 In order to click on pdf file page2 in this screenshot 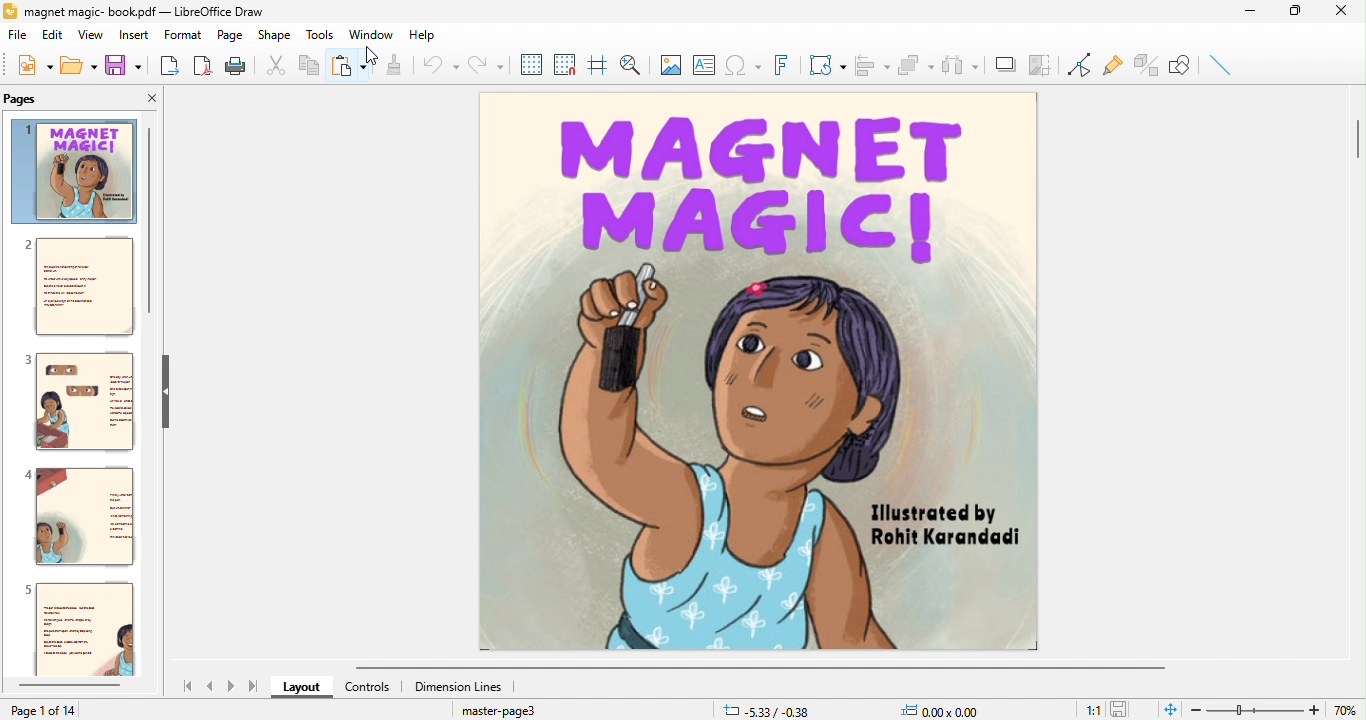, I will do `click(77, 291)`.